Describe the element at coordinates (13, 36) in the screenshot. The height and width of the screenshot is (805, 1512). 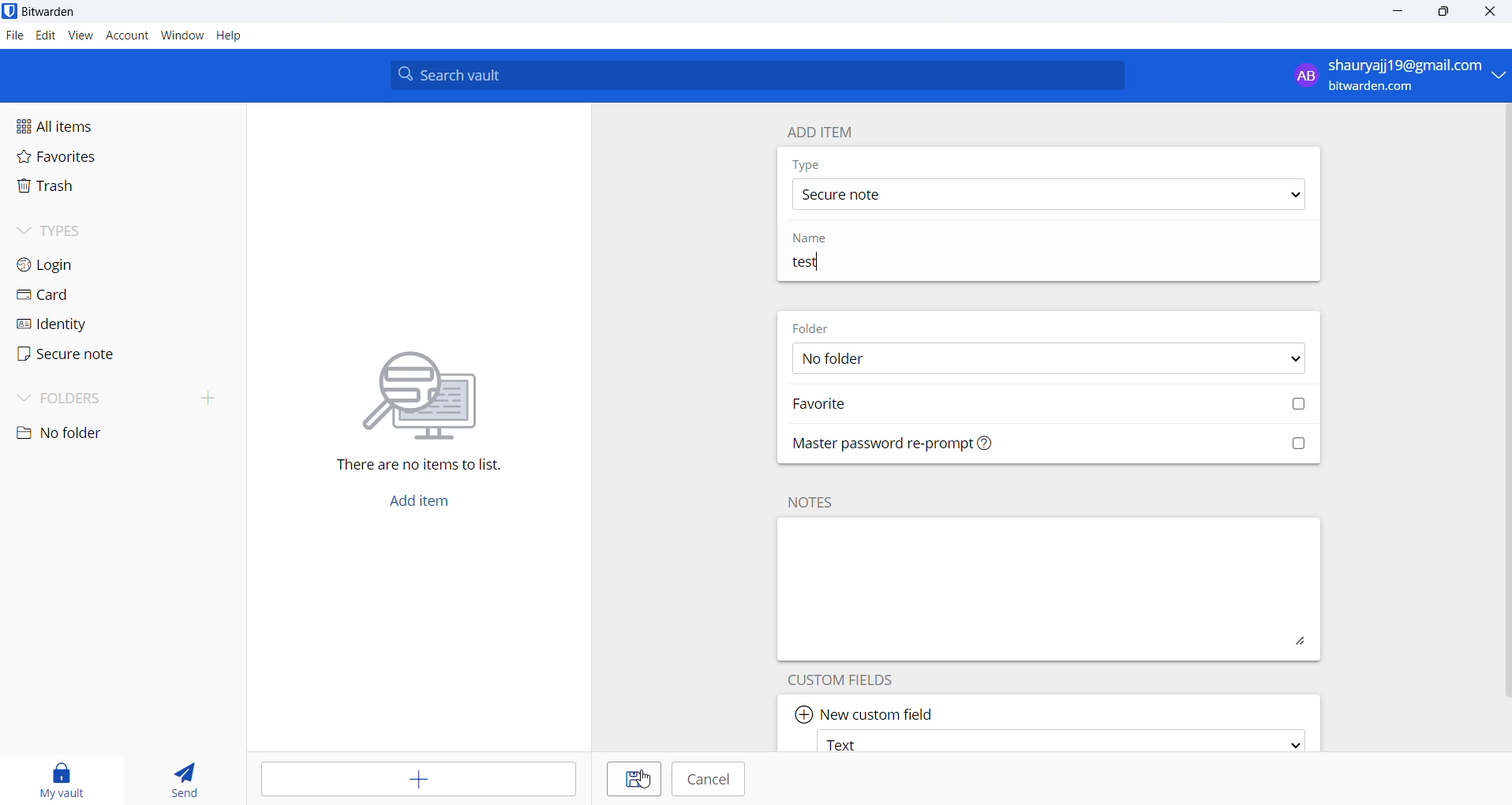
I see `file` at that location.